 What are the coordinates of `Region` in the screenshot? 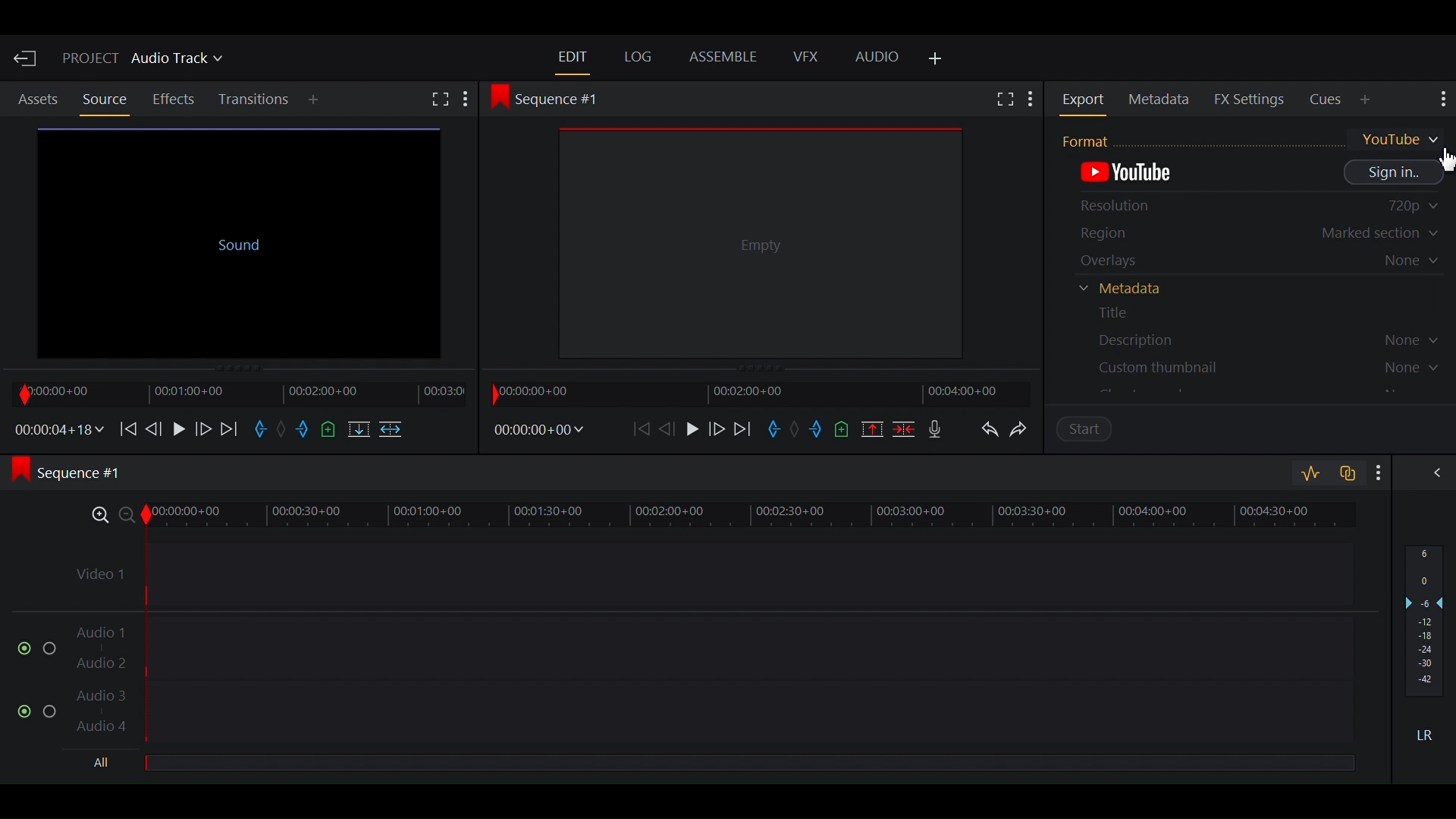 It's located at (1257, 235).